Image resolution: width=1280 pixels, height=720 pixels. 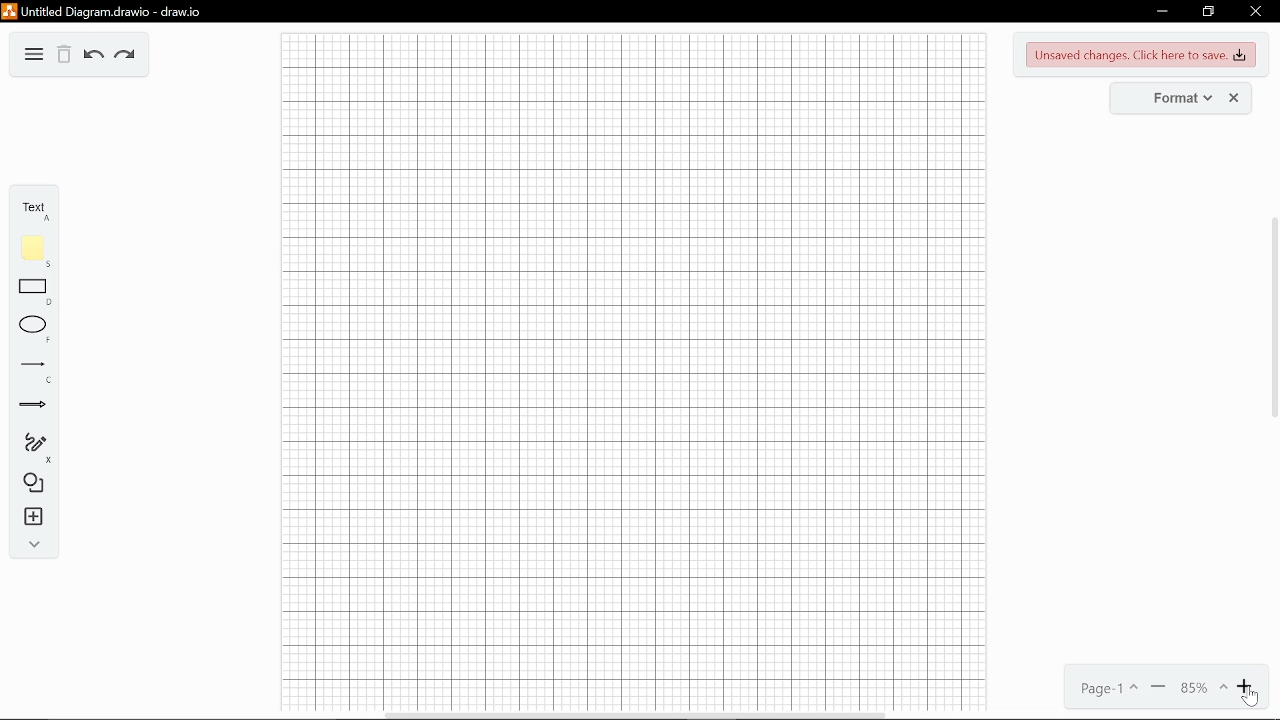 I want to click on unsaved changes. Click here to save, so click(x=1141, y=55).